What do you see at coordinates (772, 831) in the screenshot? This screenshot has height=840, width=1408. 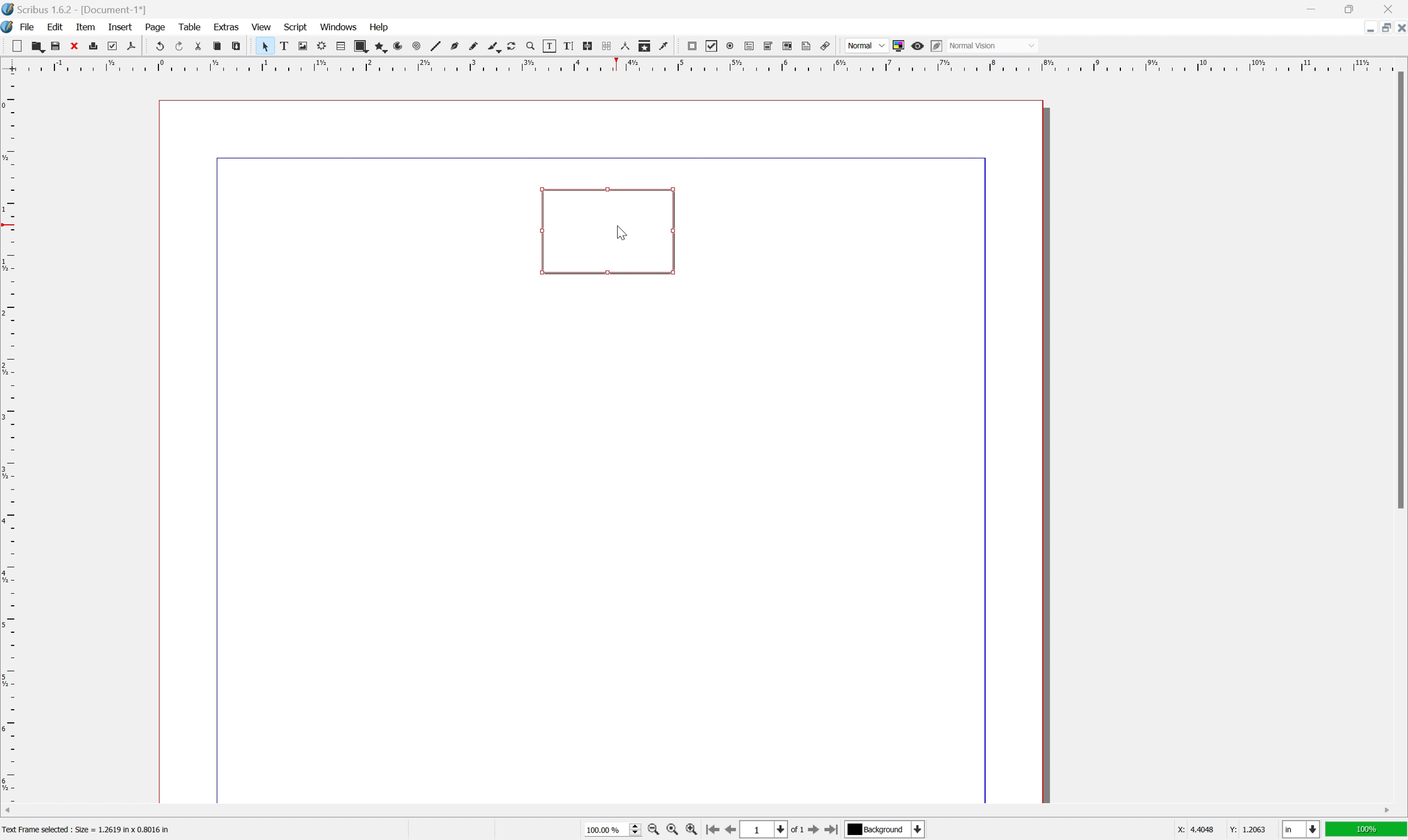 I see `select current page` at bounding box center [772, 831].